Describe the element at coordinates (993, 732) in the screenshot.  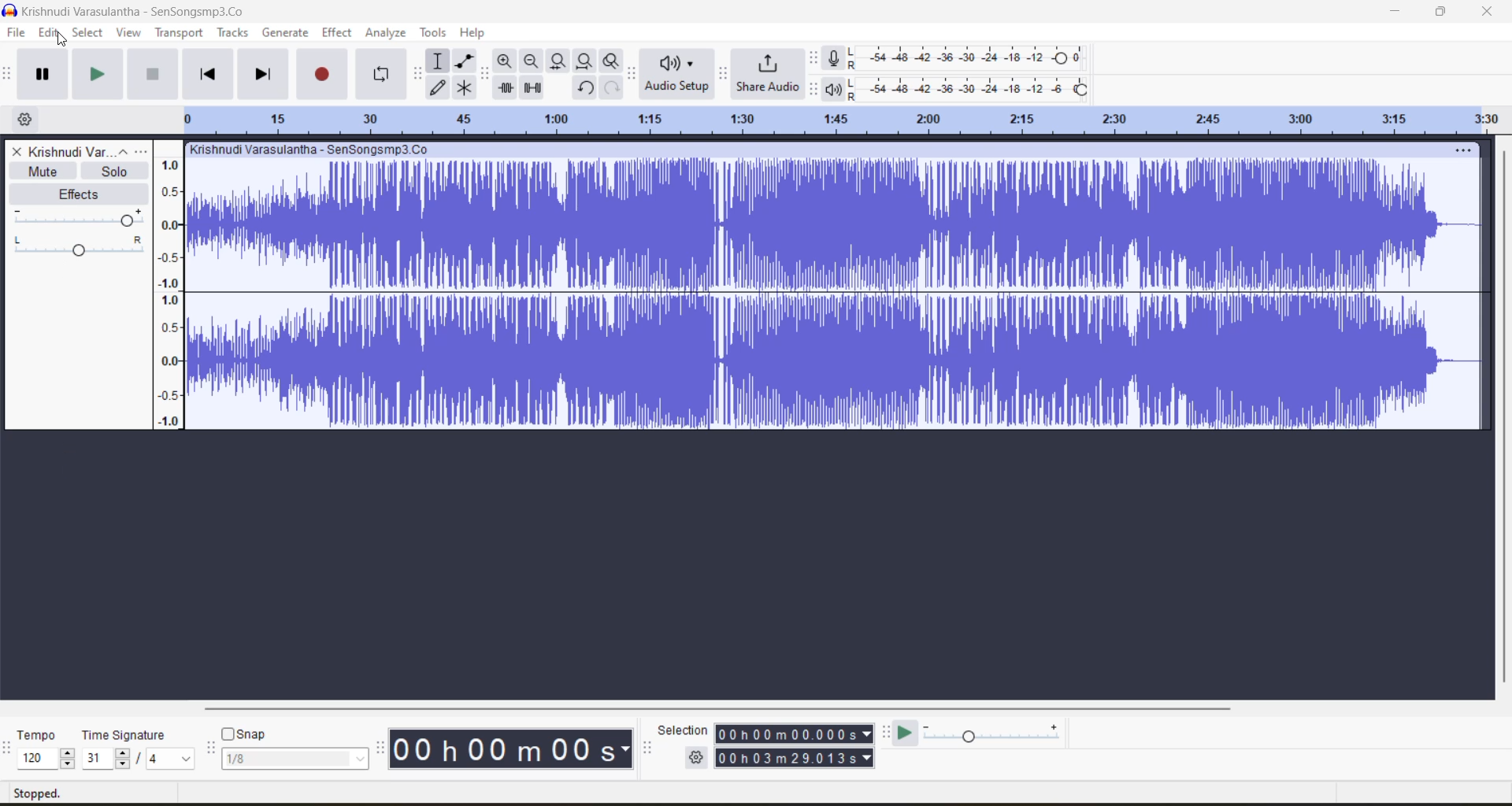
I see `playback speed` at that location.